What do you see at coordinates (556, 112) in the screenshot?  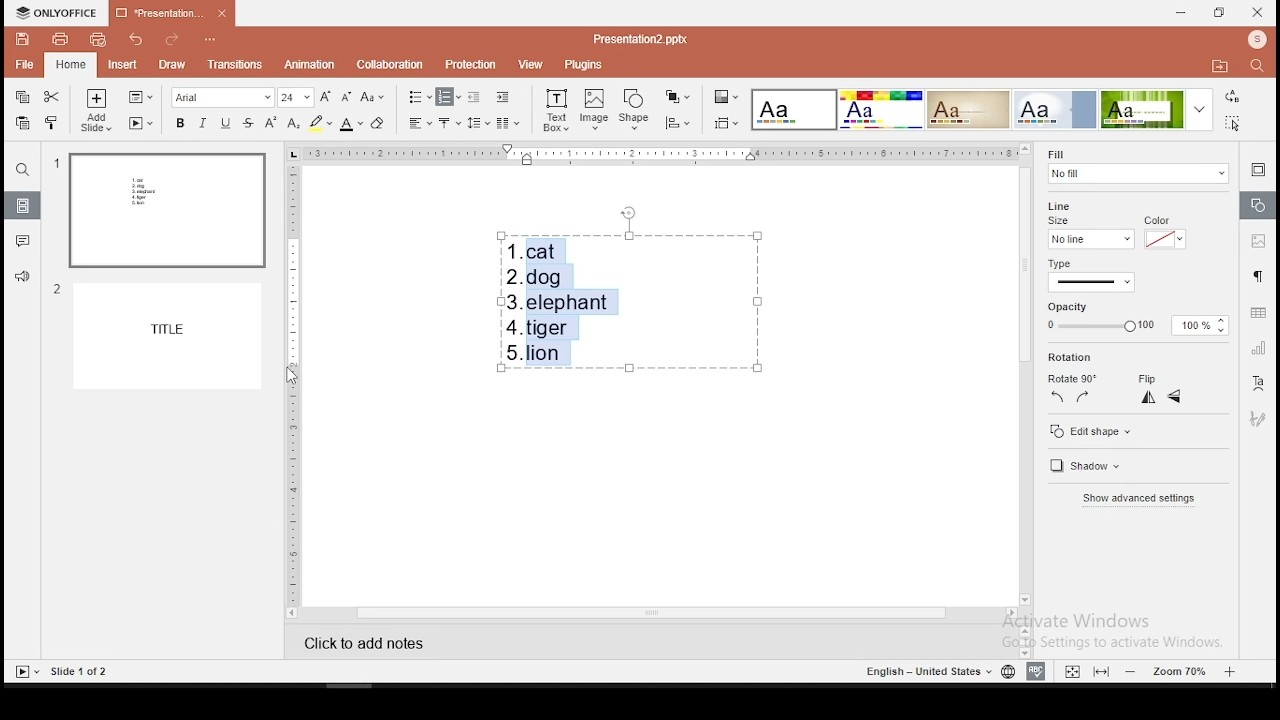 I see `text box` at bounding box center [556, 112].